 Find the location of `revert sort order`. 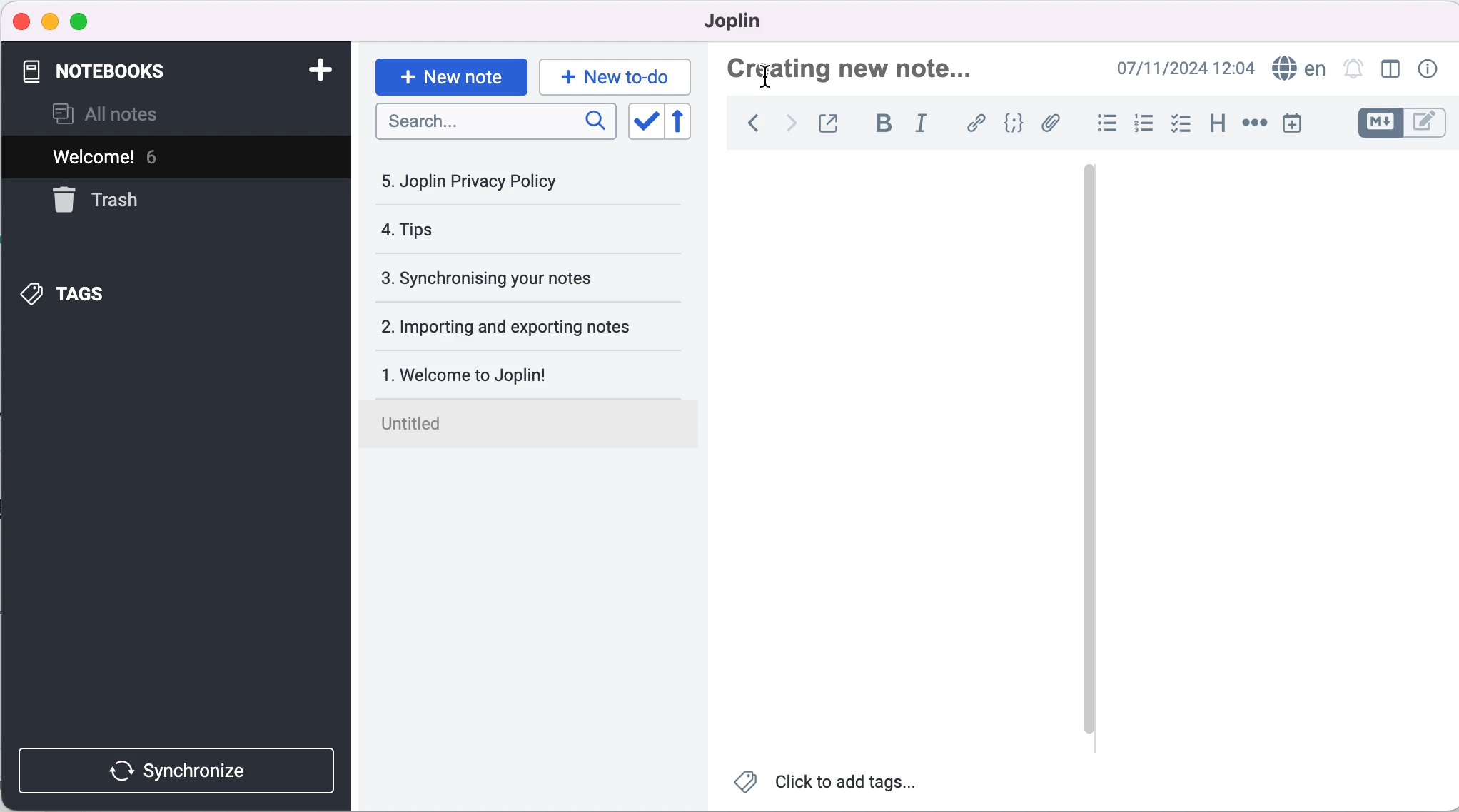

revert sort order is located at coordinates (685, 123).